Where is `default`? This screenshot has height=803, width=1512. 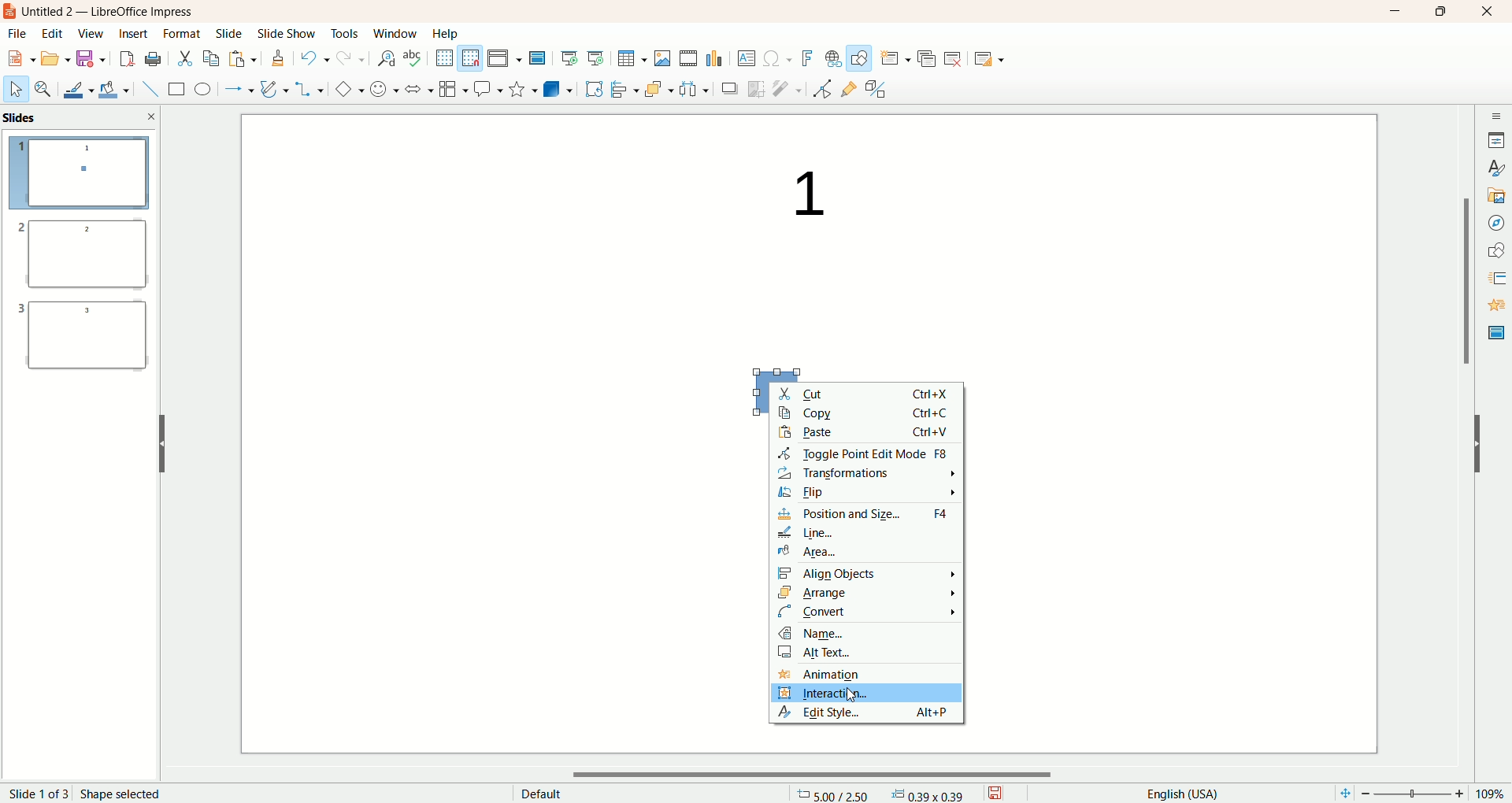
default is located at coordinates (539, 792).